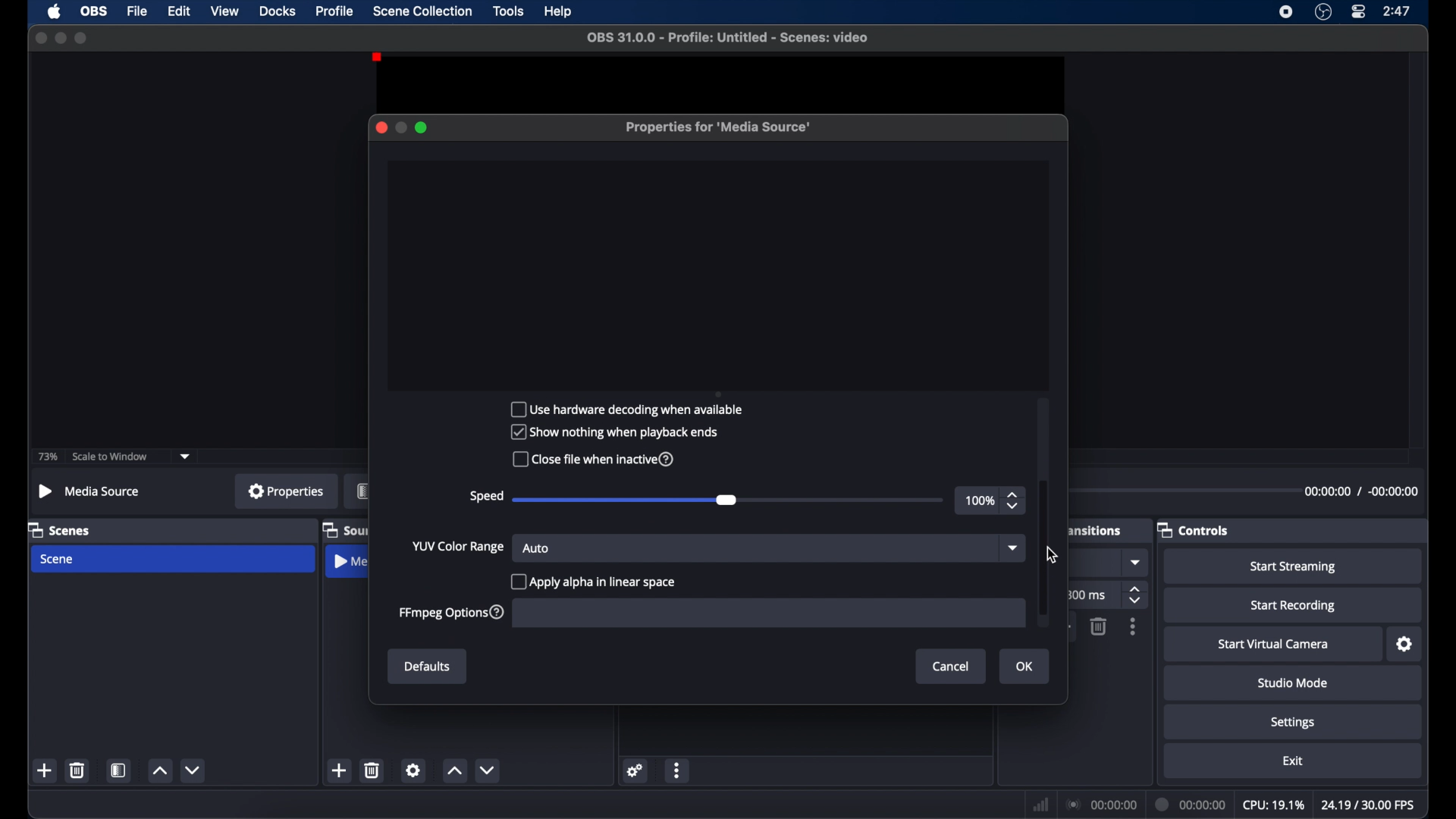  I want to click on Close file when inactive, so click(601, 460).